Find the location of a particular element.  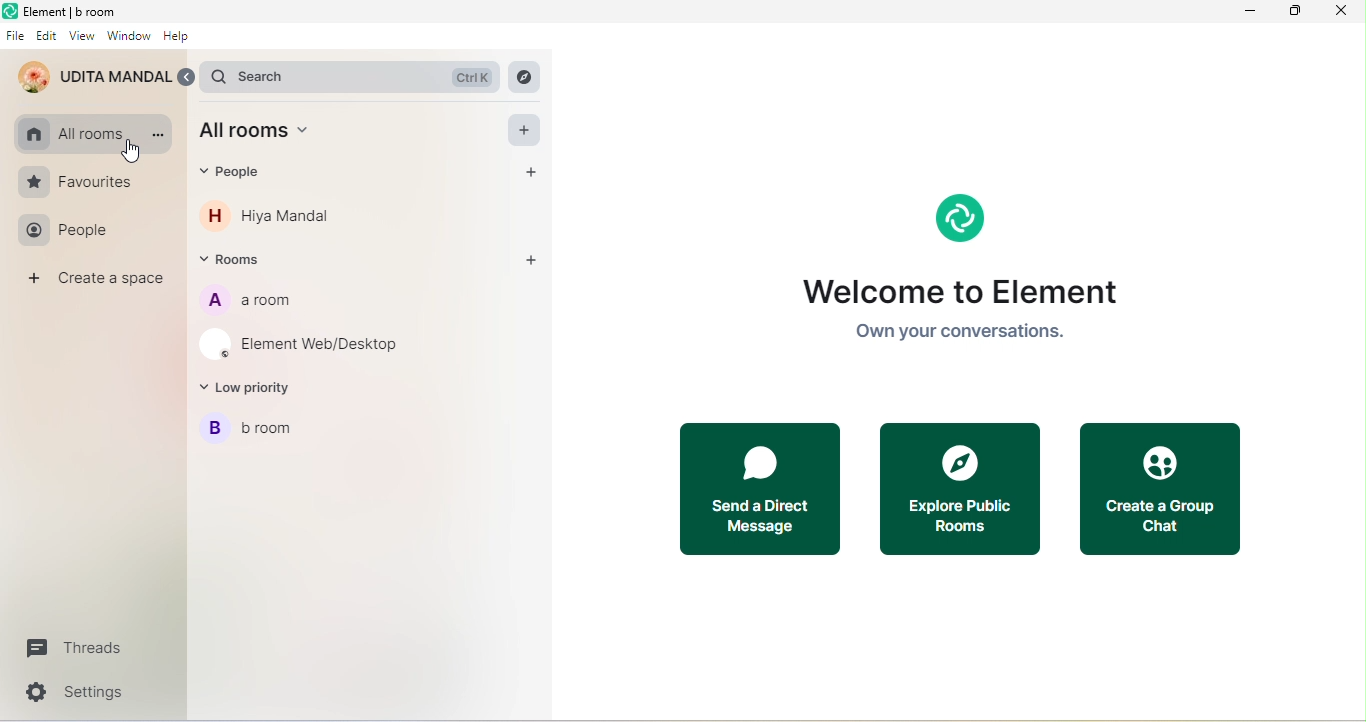

explore public rooms is located at coordinates (962, 487).